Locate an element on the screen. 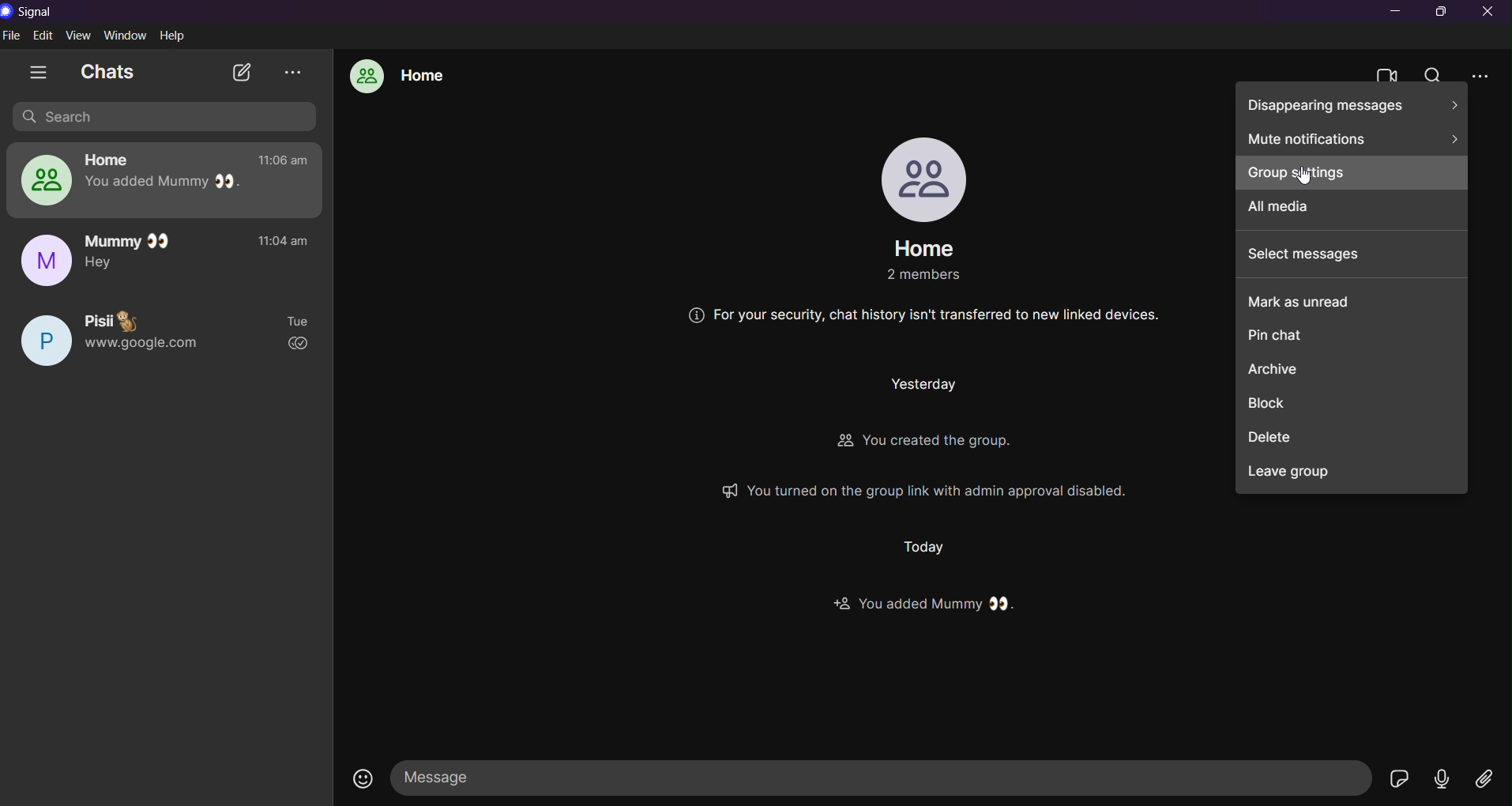   You turned on the group link with admin approval disabled. is located at coordinates (946, 491).